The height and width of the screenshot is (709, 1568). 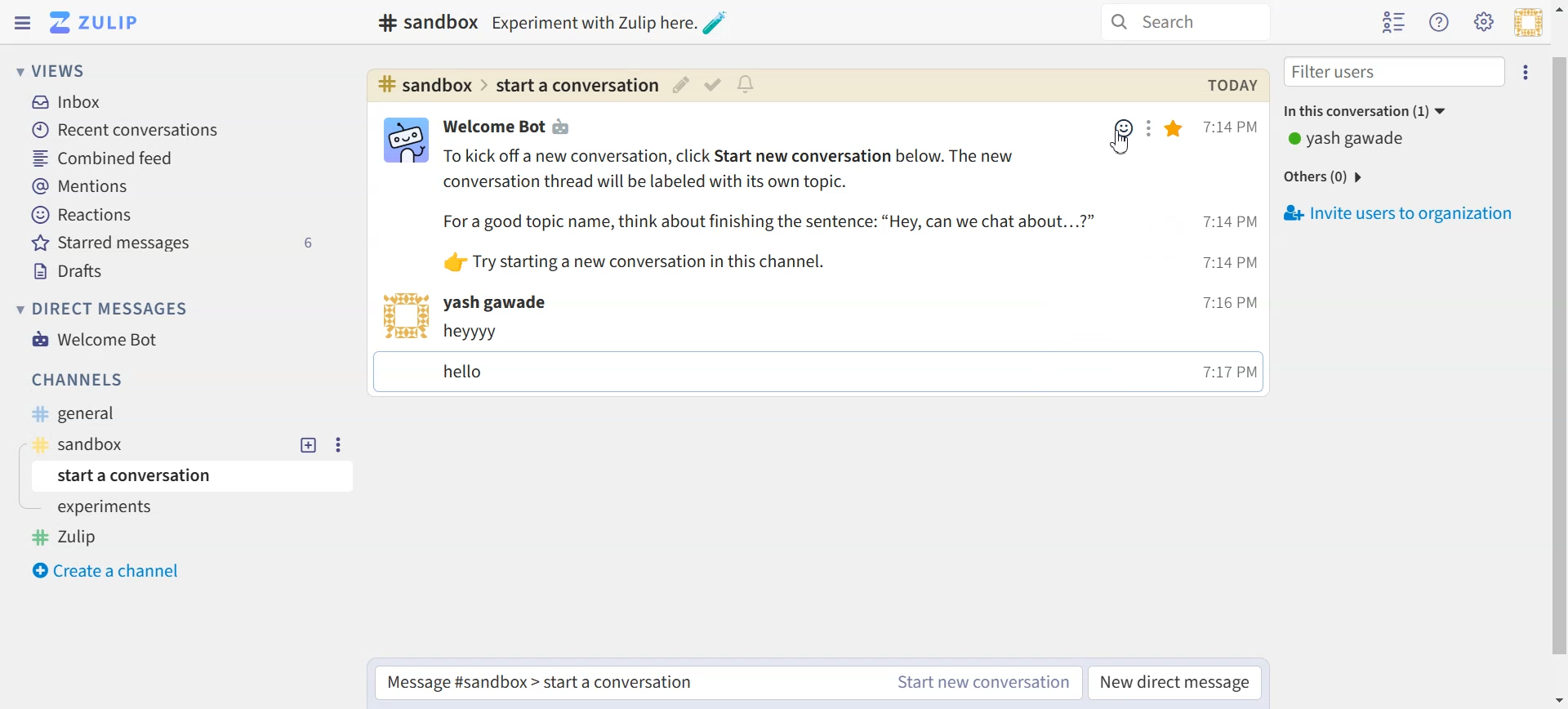 What do you see at coordinates (1393, 23) in the screenshot?
I see `Hide user list` at bounding box center [1393, 23].